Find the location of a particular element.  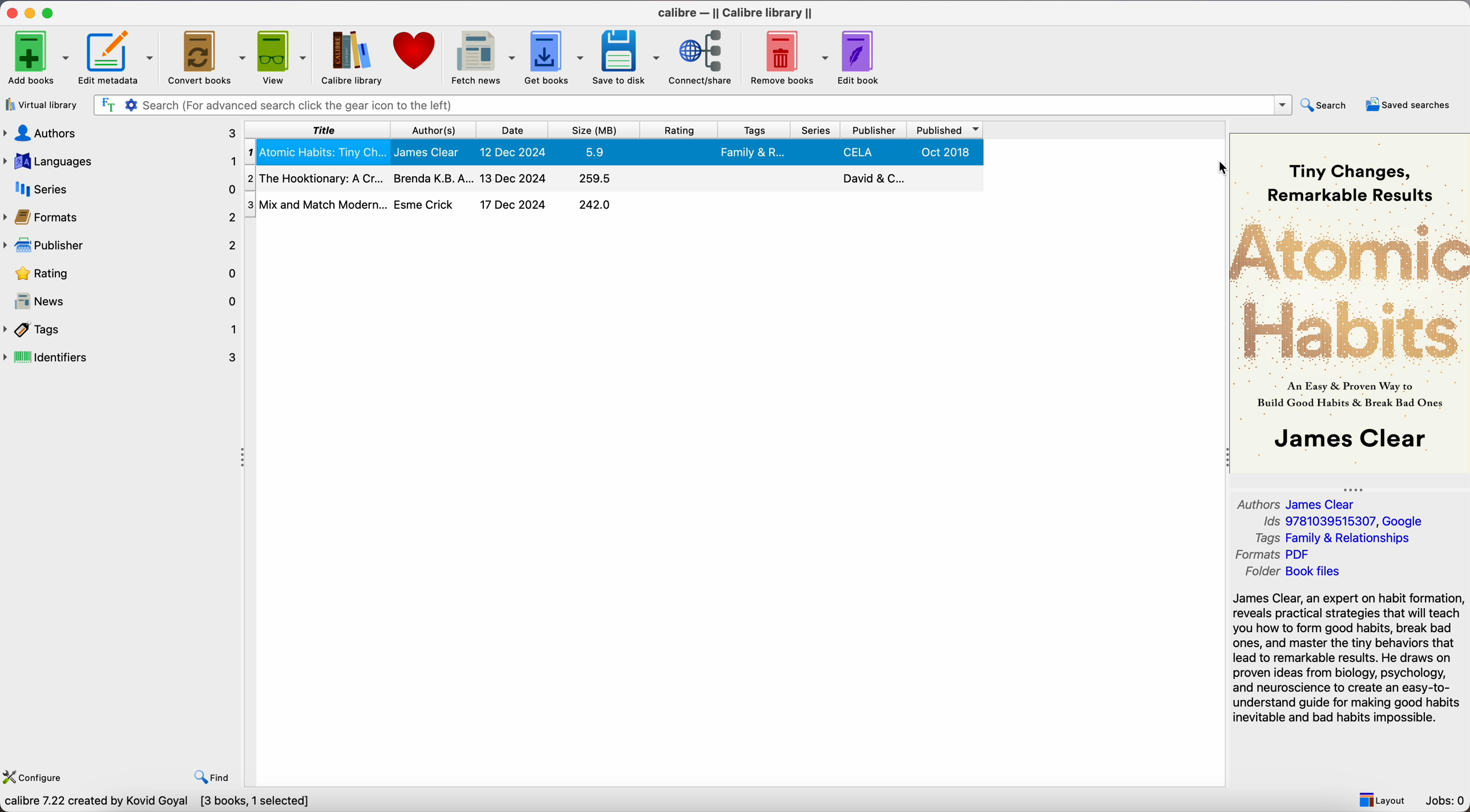

Formats PDF is located at coordinates (1271, 554).